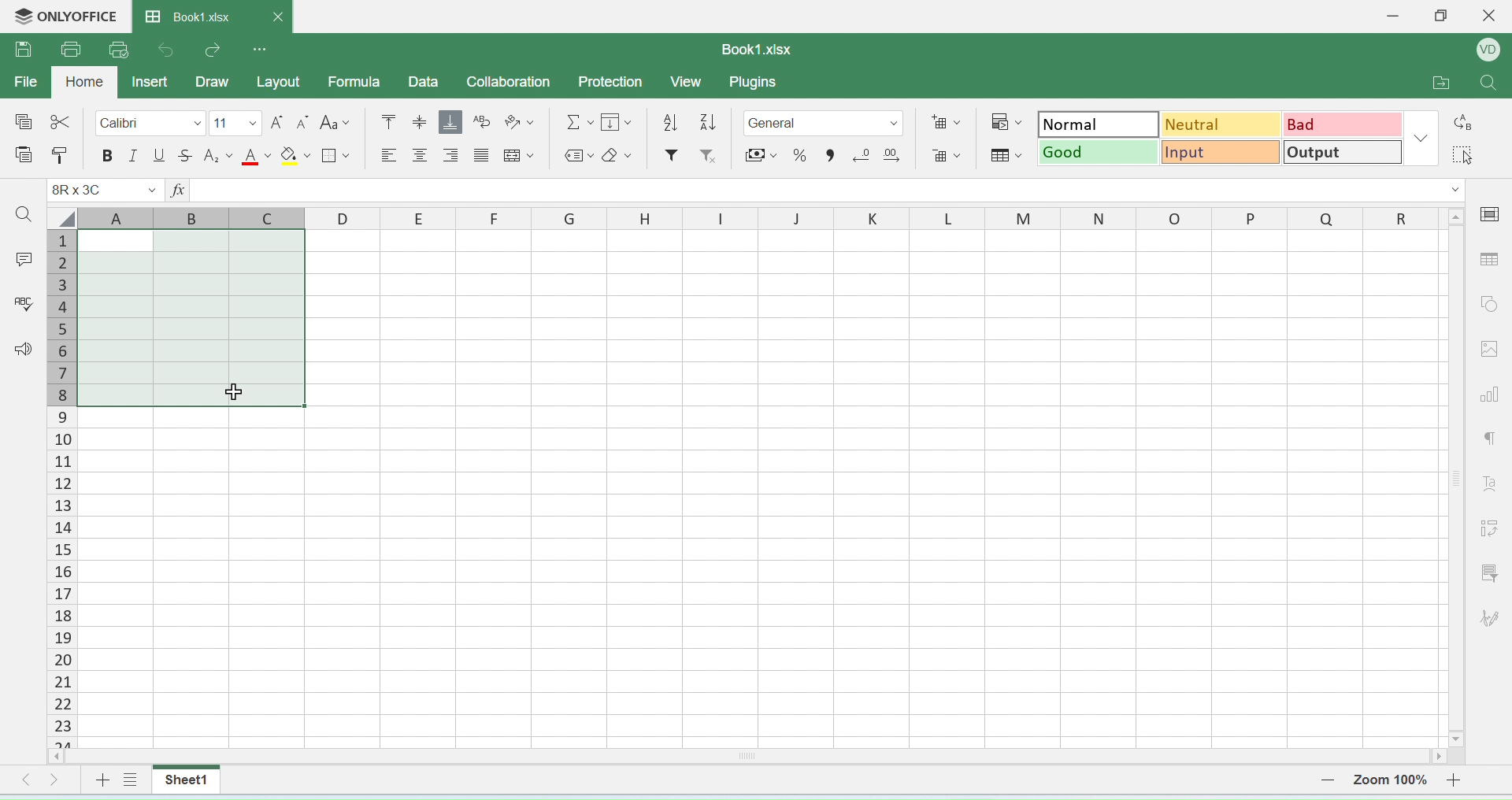 The width and height of the screenshot is (1512, 800). Describe the element at coordinates (1453, 780) in the screenshot. I see `zoom in` at that location.